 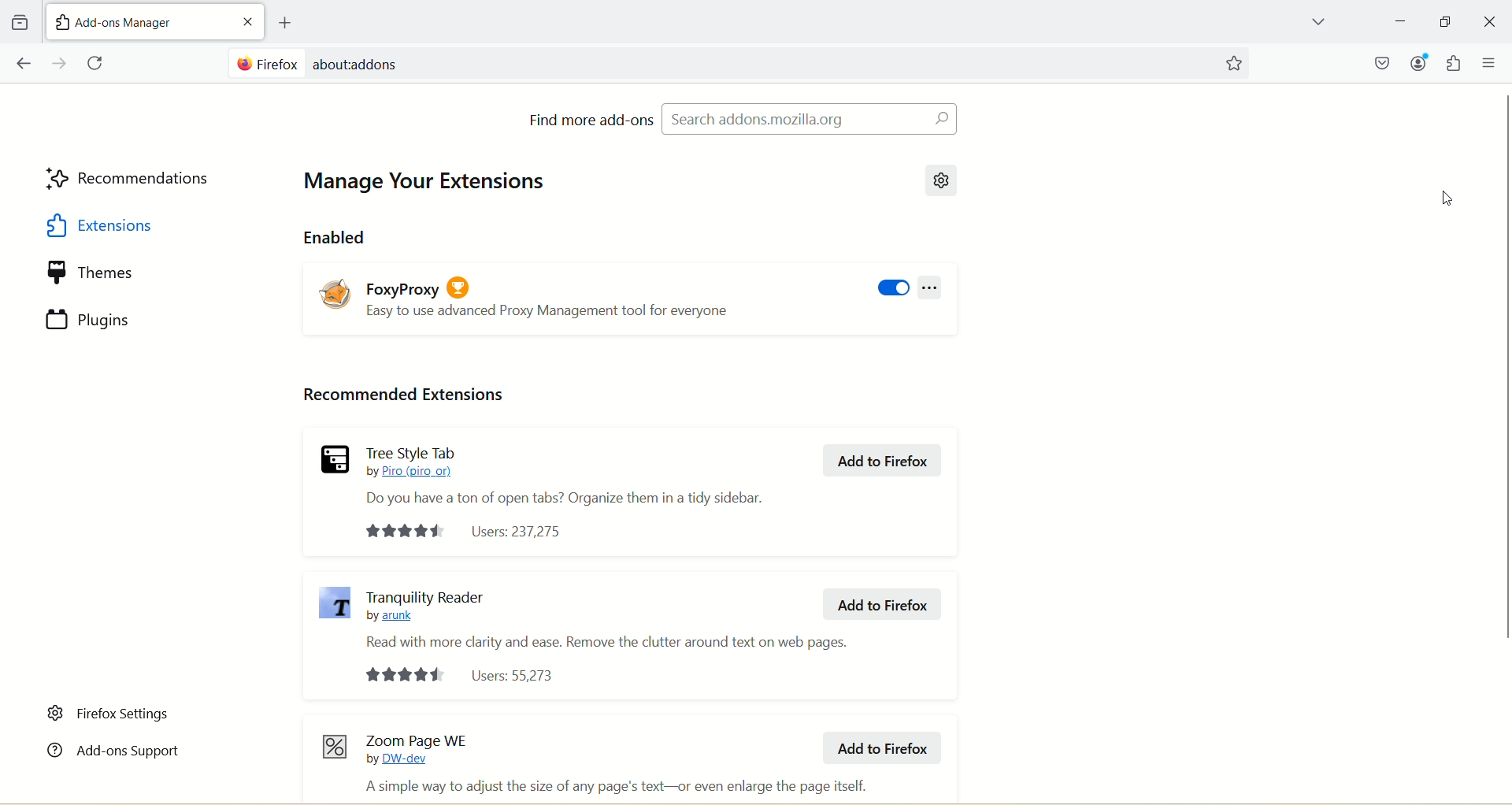 I want to click on More, so click(x=1490, y=62).